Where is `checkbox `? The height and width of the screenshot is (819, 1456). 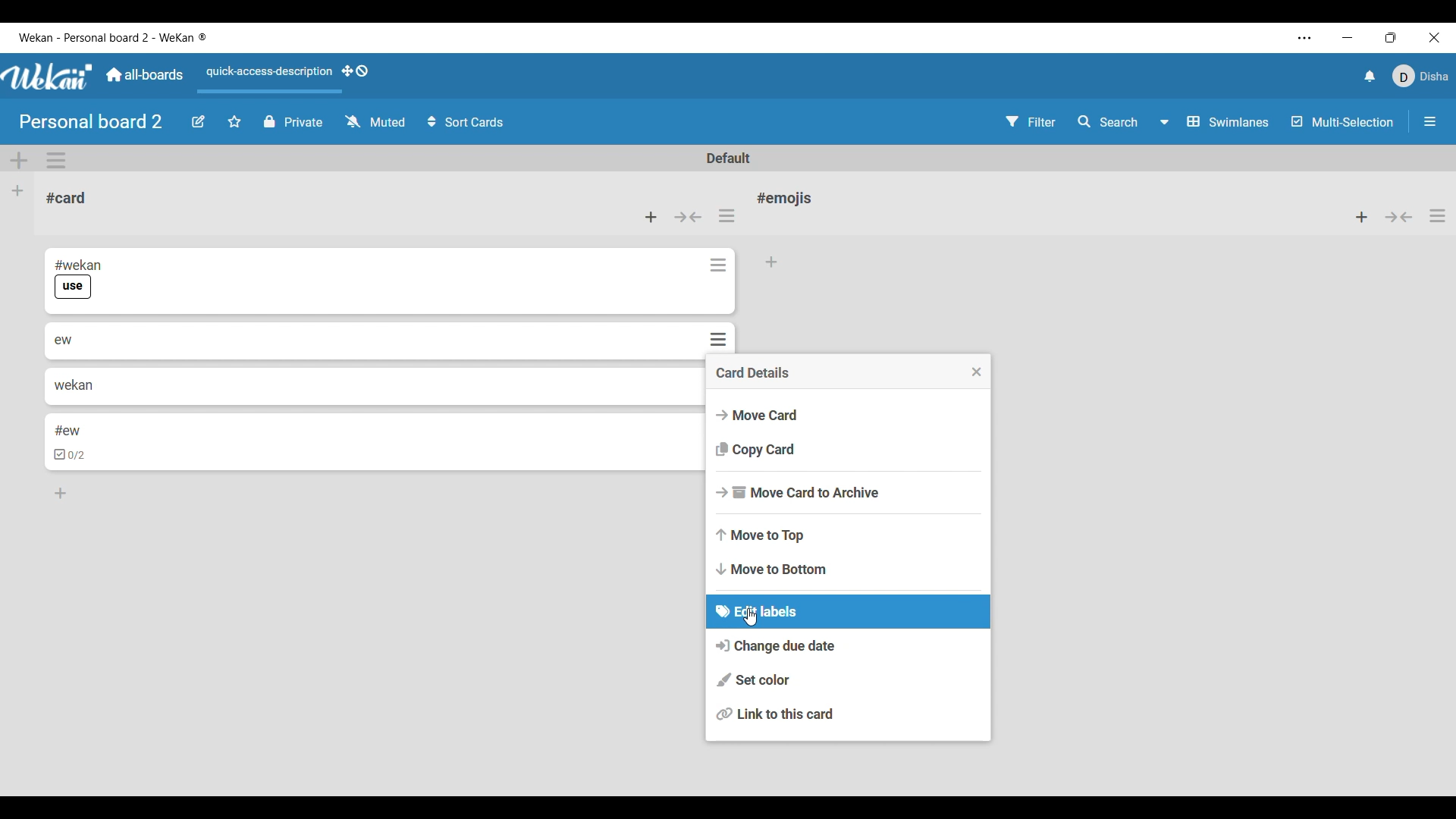 checkbox  is located at coordinates (71, 455).